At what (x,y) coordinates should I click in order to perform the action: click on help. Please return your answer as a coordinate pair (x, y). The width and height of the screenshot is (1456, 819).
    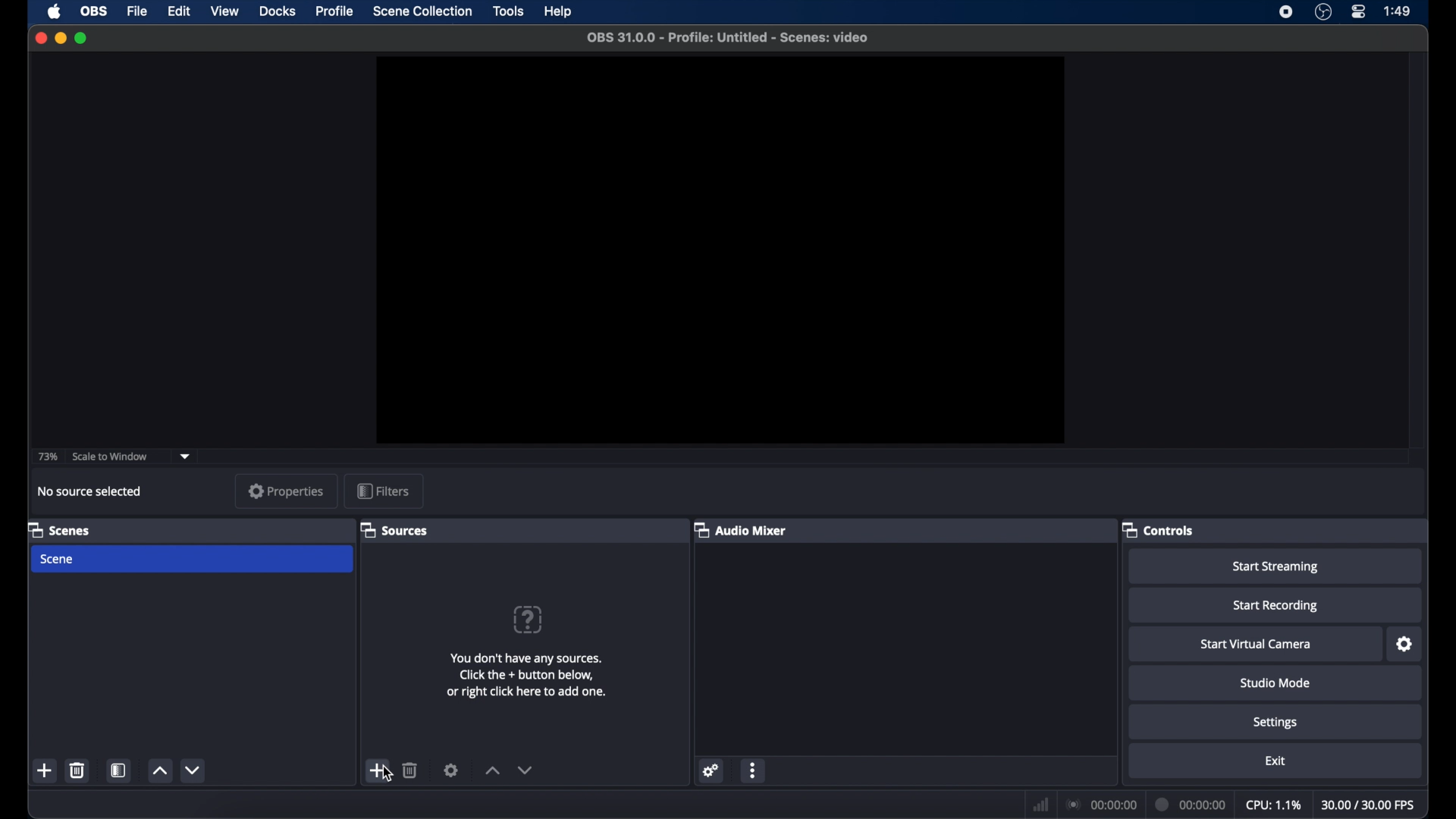
    Looking at the image, I should click on (558, 12).